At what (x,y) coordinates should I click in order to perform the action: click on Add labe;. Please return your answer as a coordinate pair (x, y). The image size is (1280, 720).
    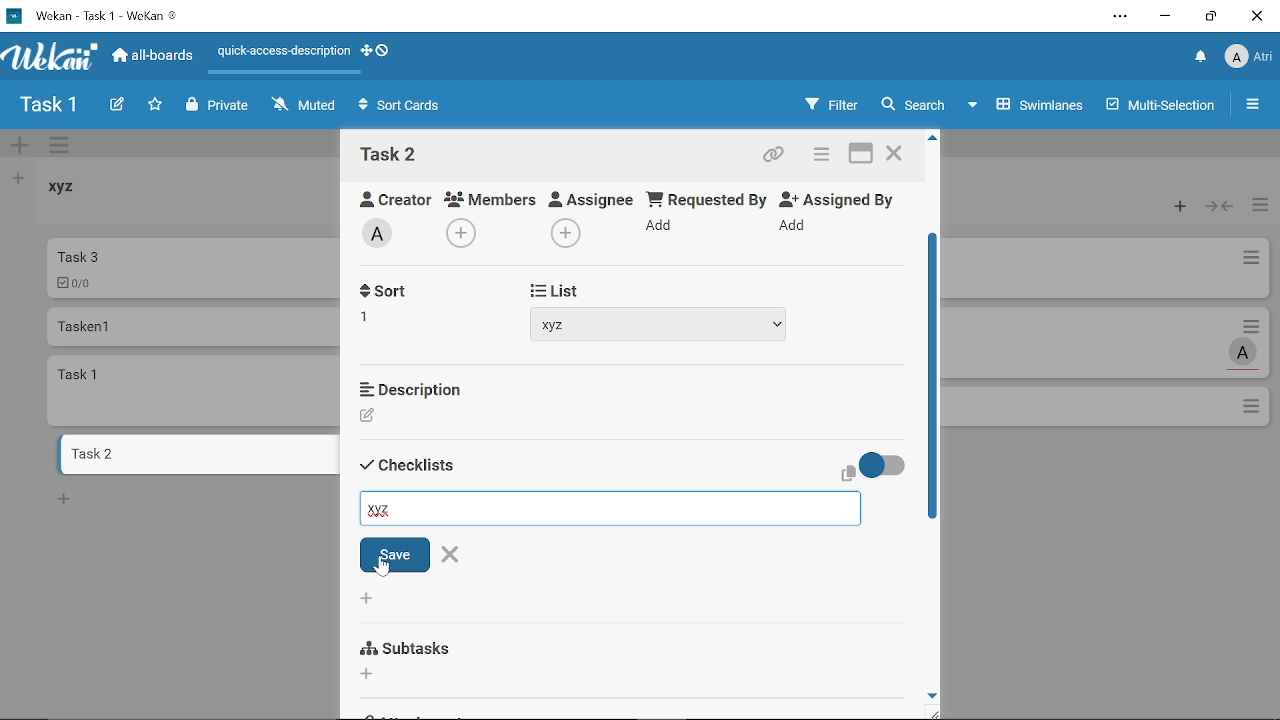
    Looking at the image, I should click on (384, 236).